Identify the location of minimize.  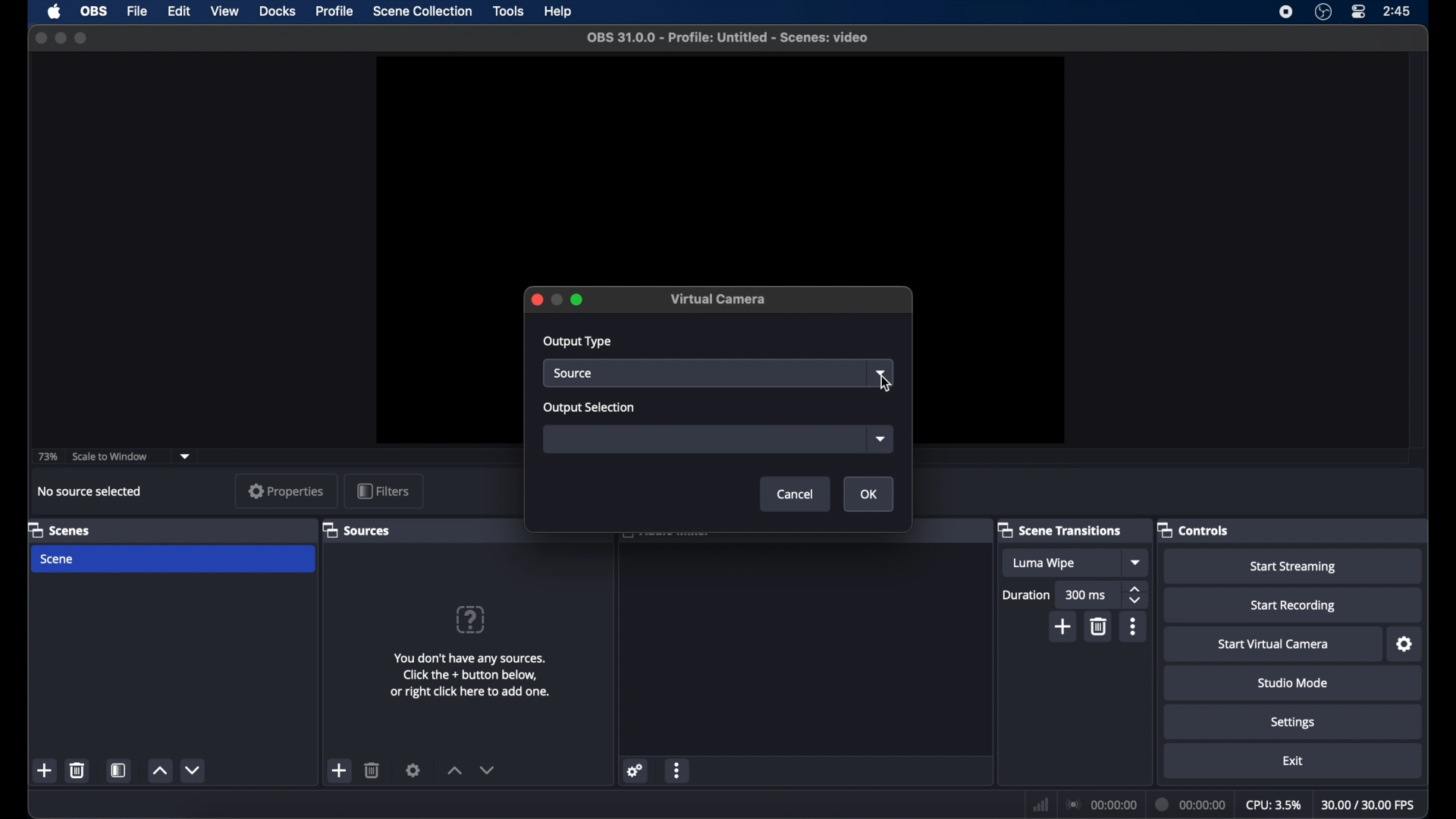
(61, 39).